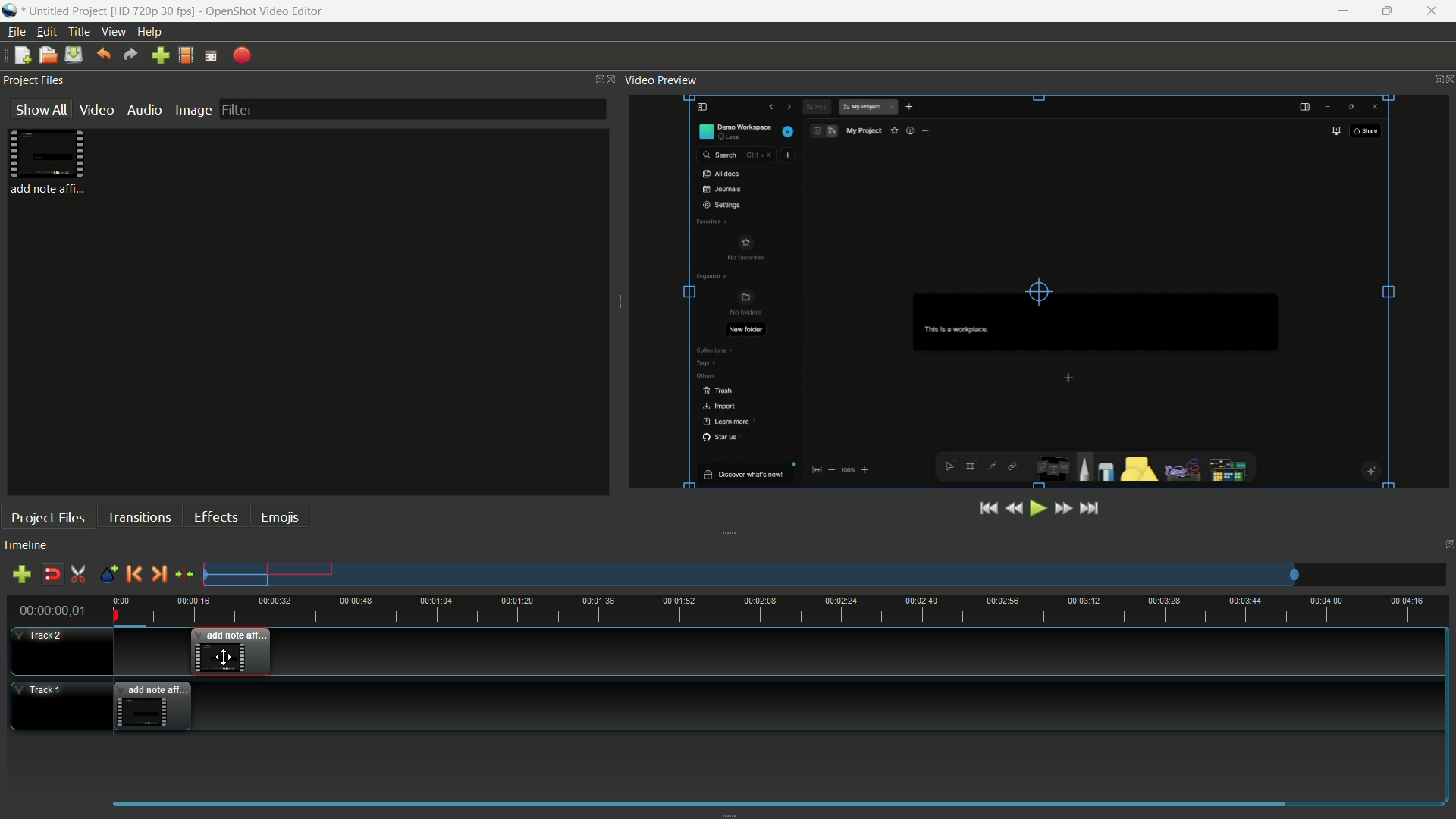  I want to click on timeline, so click(26, 544).